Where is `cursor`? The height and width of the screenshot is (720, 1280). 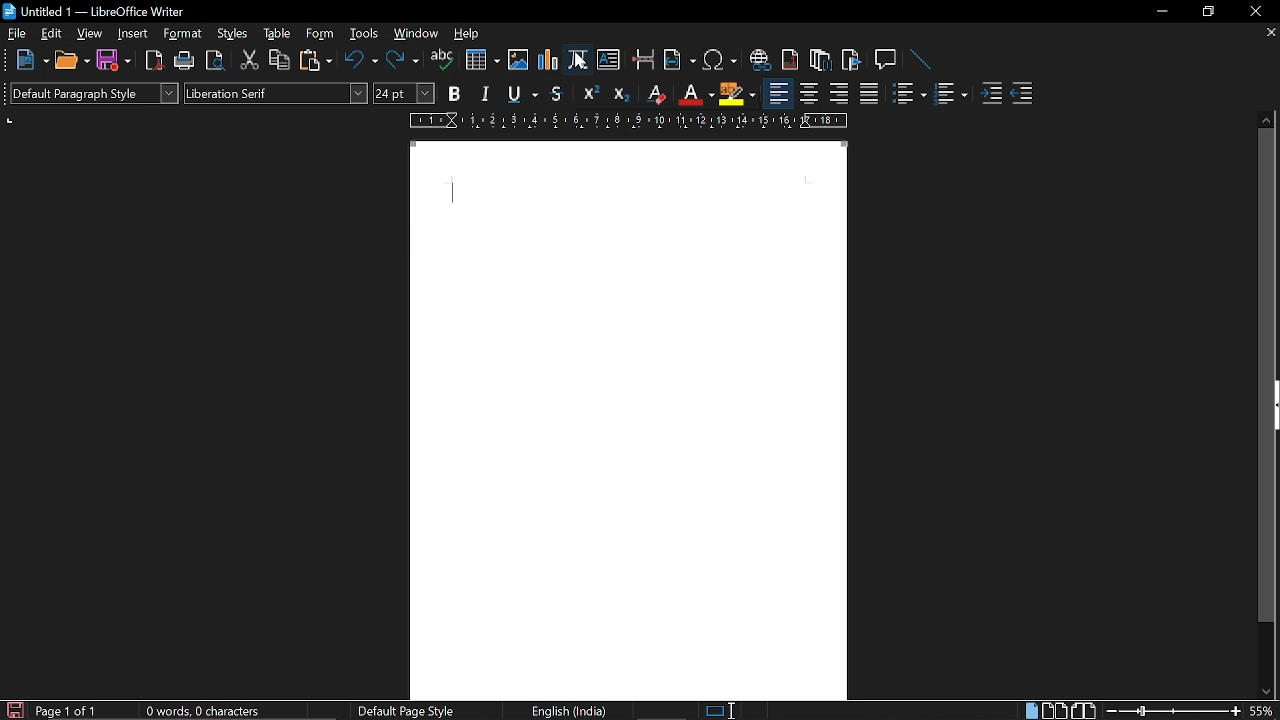
cursor is located at coordinates (581, 63).